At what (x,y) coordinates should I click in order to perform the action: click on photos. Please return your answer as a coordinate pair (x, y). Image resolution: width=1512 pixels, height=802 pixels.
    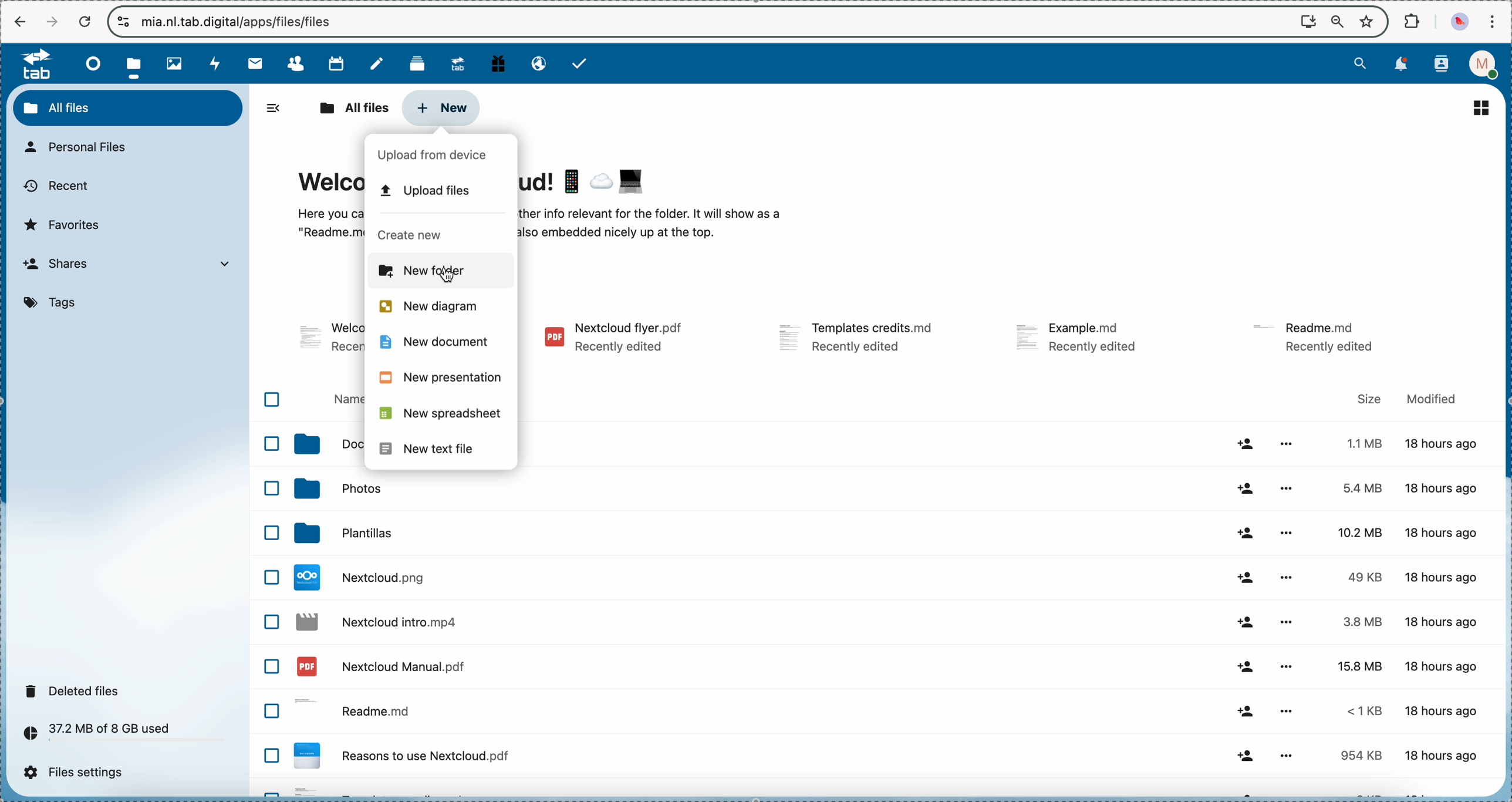
    Looking at the image, I should click on (178, 64).